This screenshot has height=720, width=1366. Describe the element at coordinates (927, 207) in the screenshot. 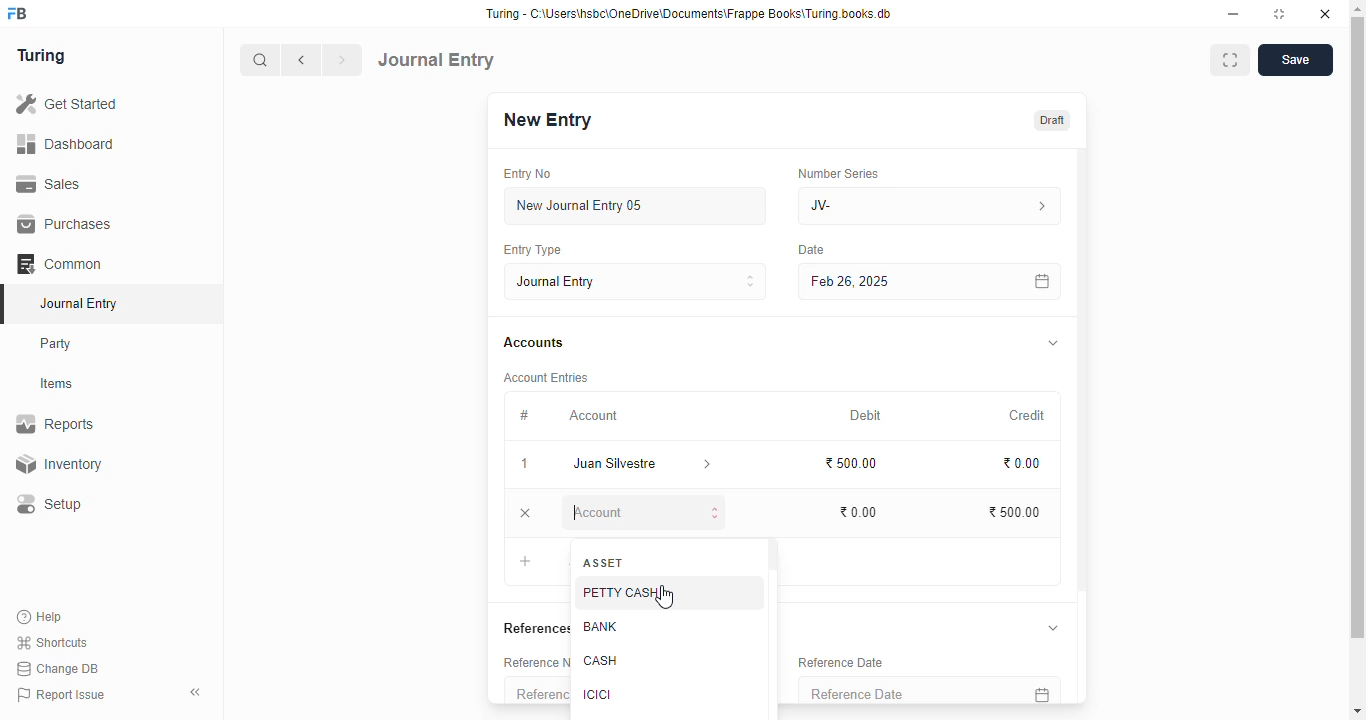

I see `JV-` at that location.